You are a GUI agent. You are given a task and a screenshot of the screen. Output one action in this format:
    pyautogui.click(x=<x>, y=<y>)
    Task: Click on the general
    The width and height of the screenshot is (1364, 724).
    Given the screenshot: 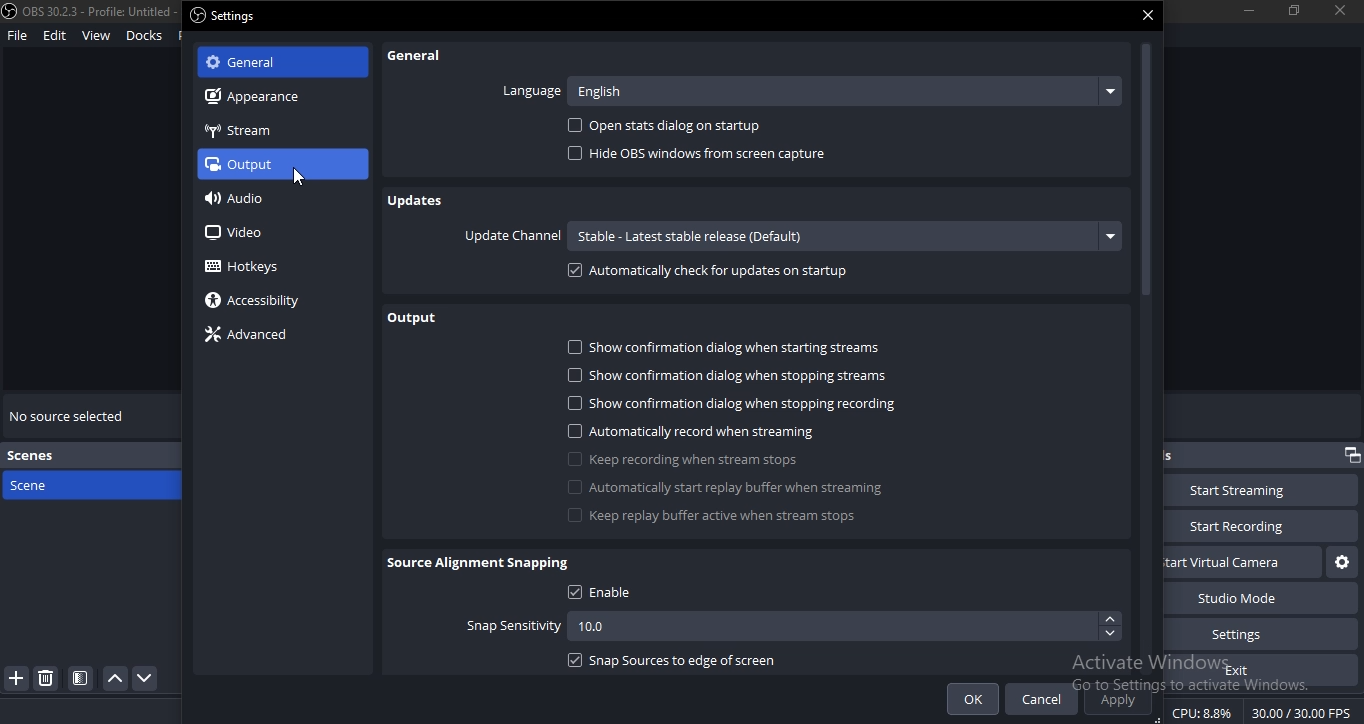 What is the action you would take?
    pyautogui.click(x=420, y=55)
    